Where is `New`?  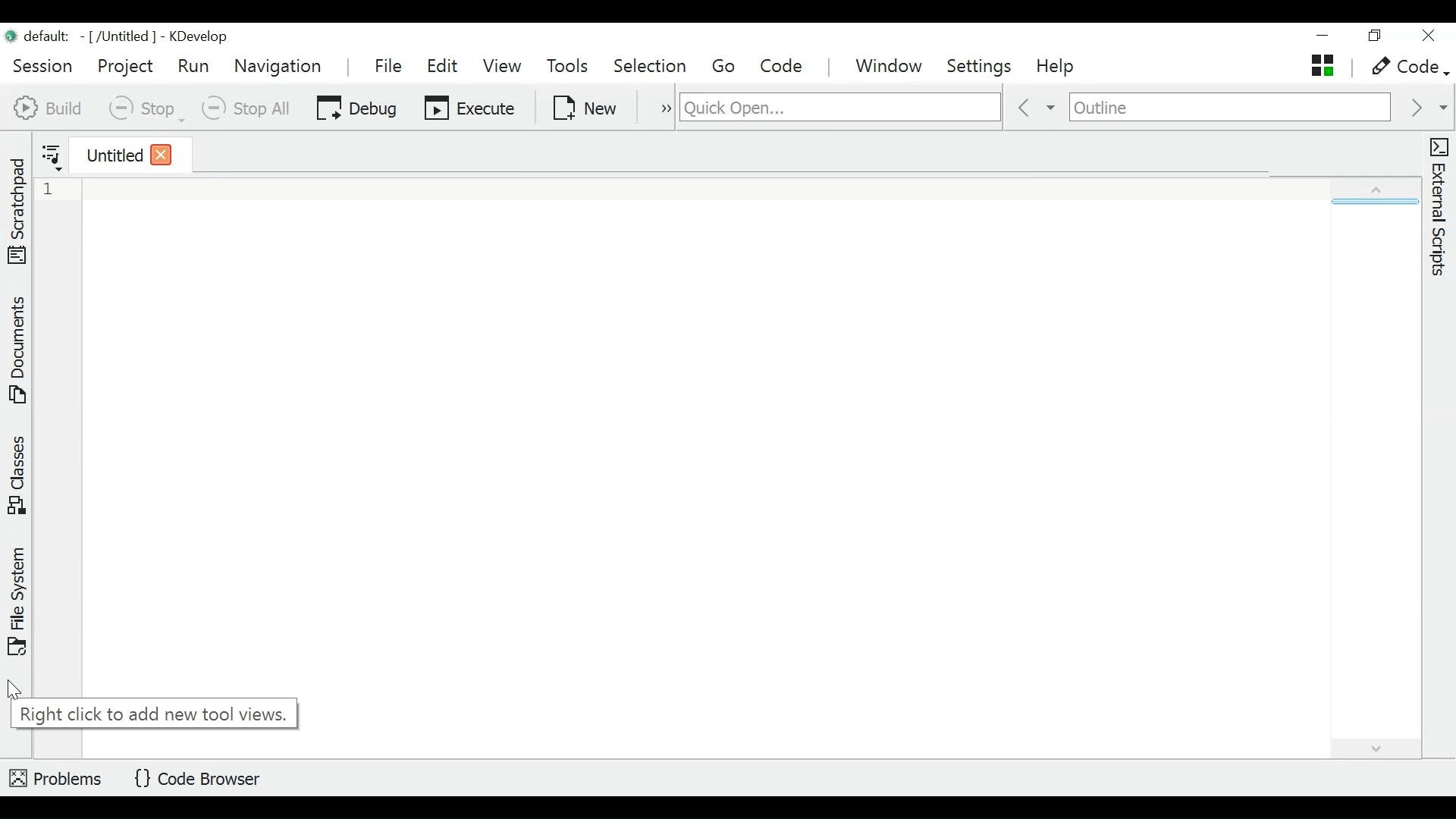 New is located at coordinates (585, 108).